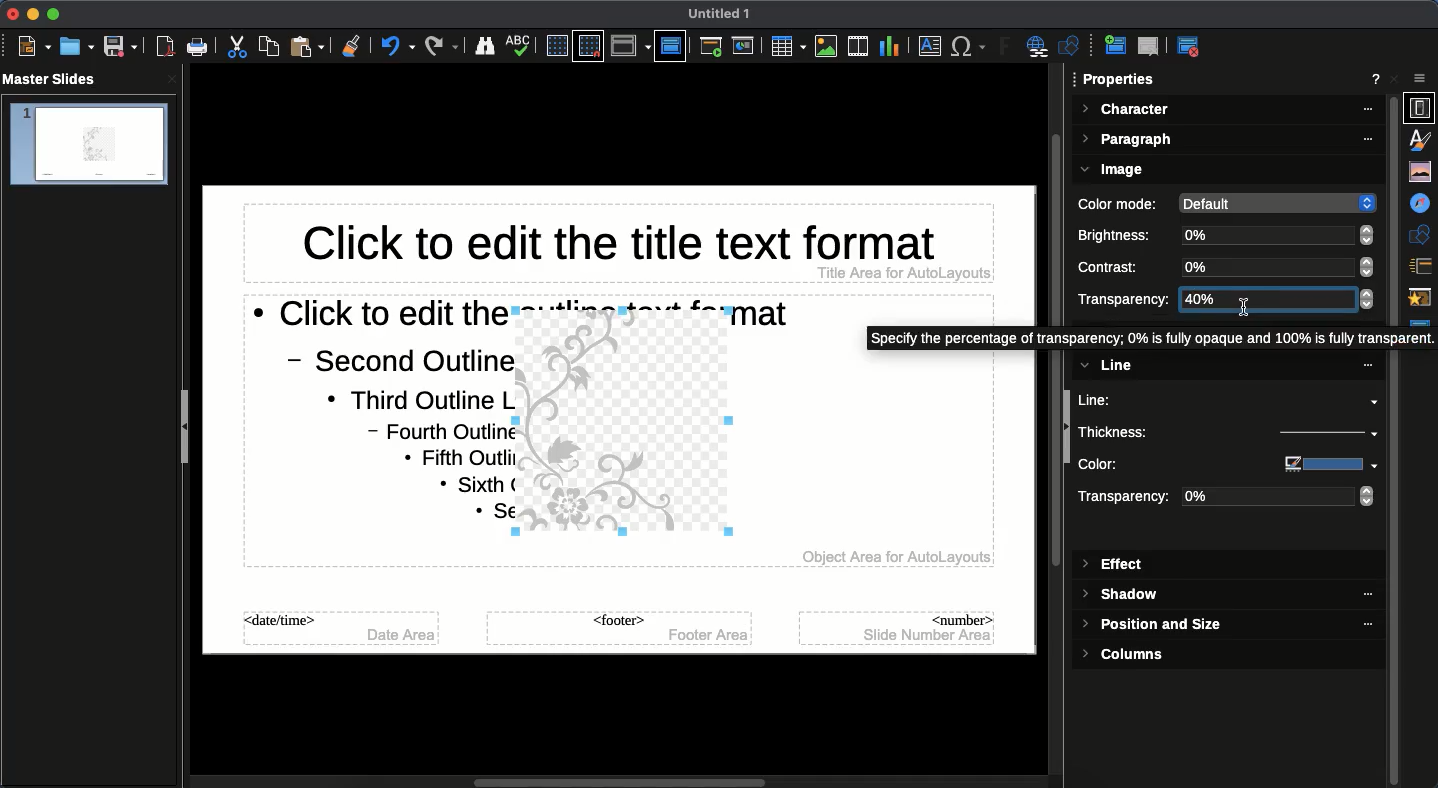 This screenshot has height=788, width=1438. What do you see at coordinates (898, 627) in the screenshot?
I see `Master slide number` at bounding box center [898, 627].